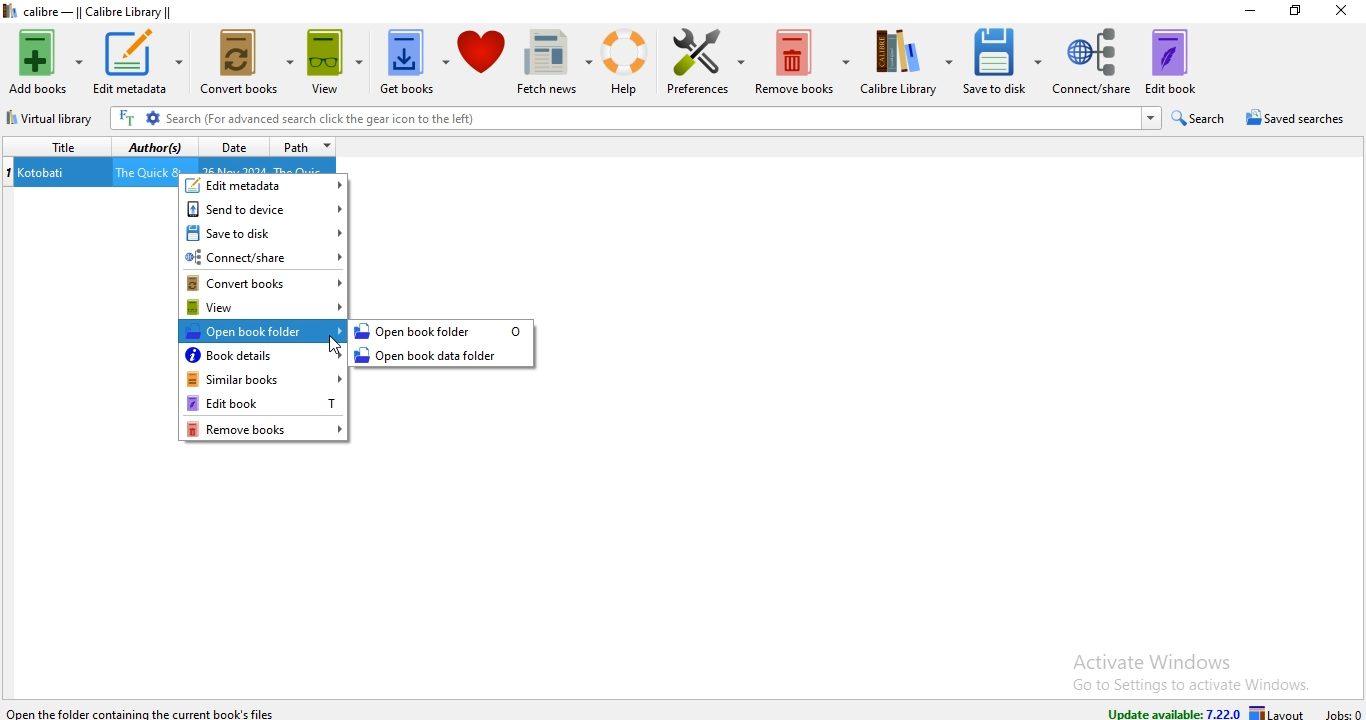  What do you see at coordinates (265, 285) in the screenshot?
I see `convert books` at bounding box center [265, 285].